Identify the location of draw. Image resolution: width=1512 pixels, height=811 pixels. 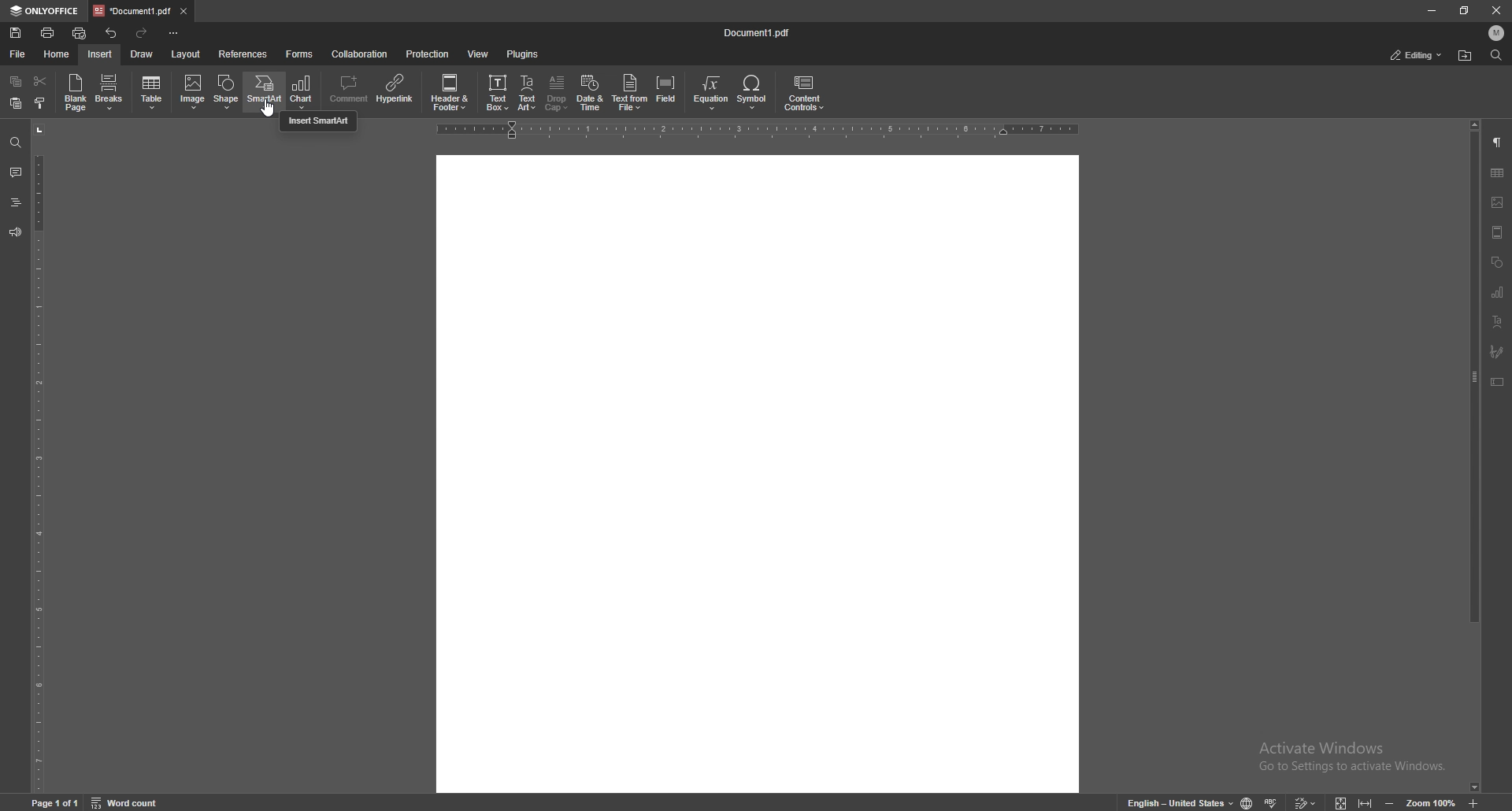
(143, 54).